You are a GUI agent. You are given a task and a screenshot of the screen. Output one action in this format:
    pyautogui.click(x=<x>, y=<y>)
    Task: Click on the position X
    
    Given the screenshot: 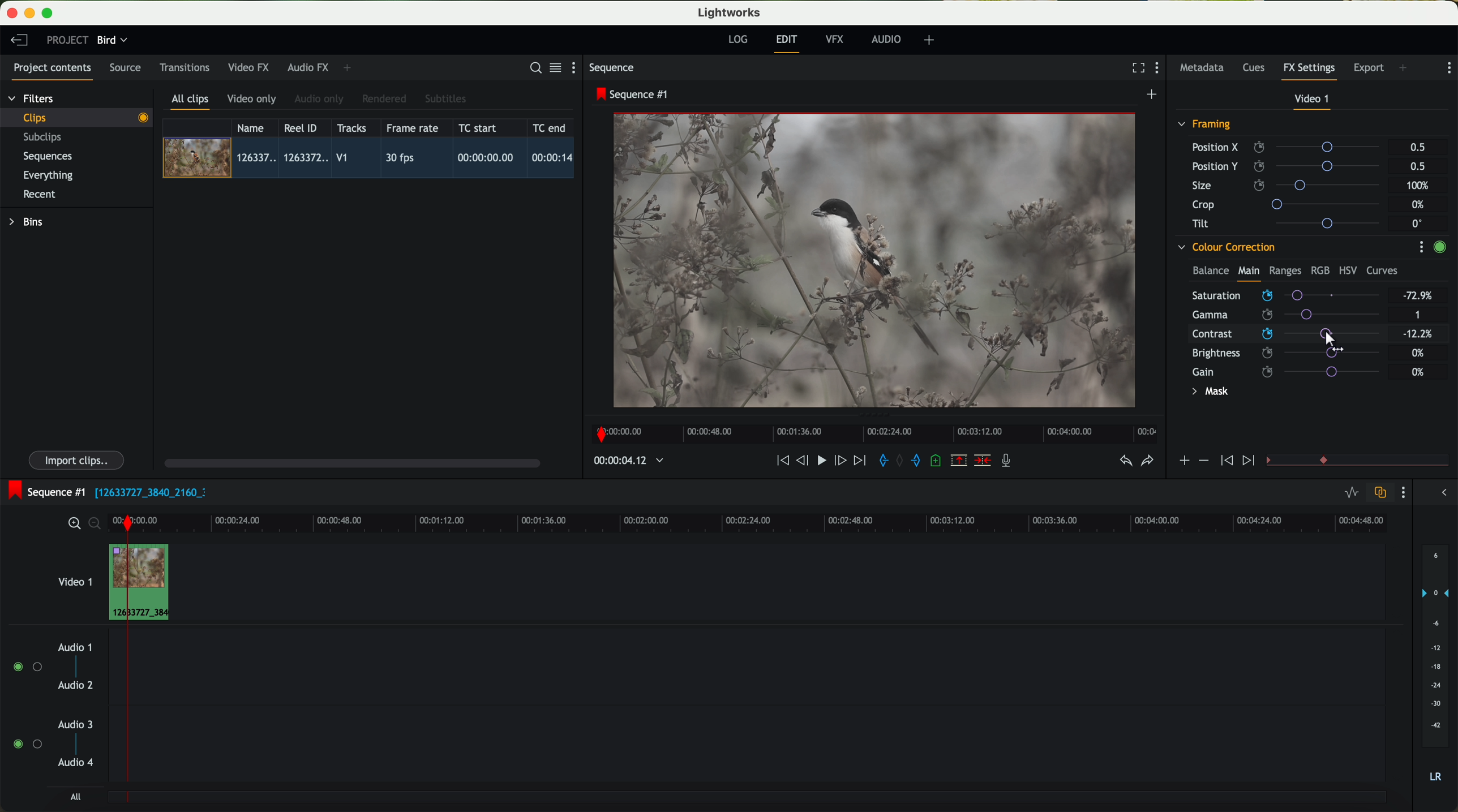 What is the action you would take?
    pyautogui.click(x=1290, y=147)
    